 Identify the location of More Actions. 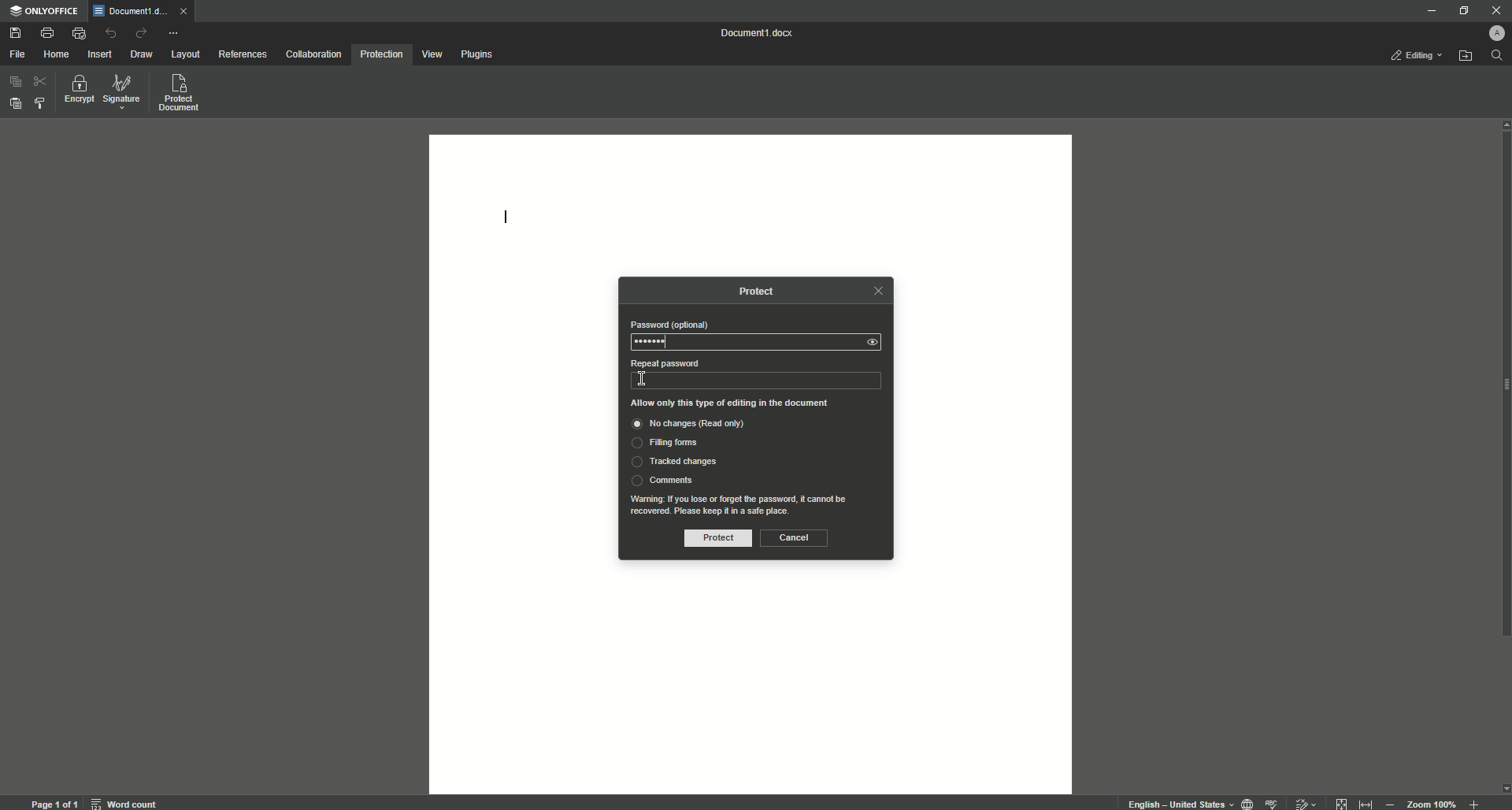
(172, 32).